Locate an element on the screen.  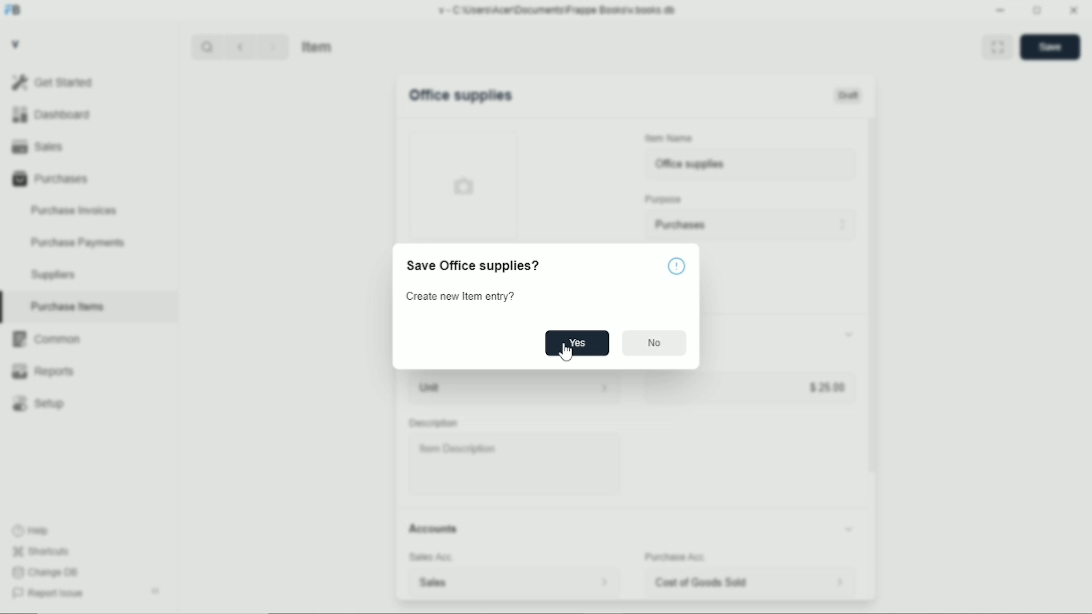
Close is located at coordinates (1074, 9).